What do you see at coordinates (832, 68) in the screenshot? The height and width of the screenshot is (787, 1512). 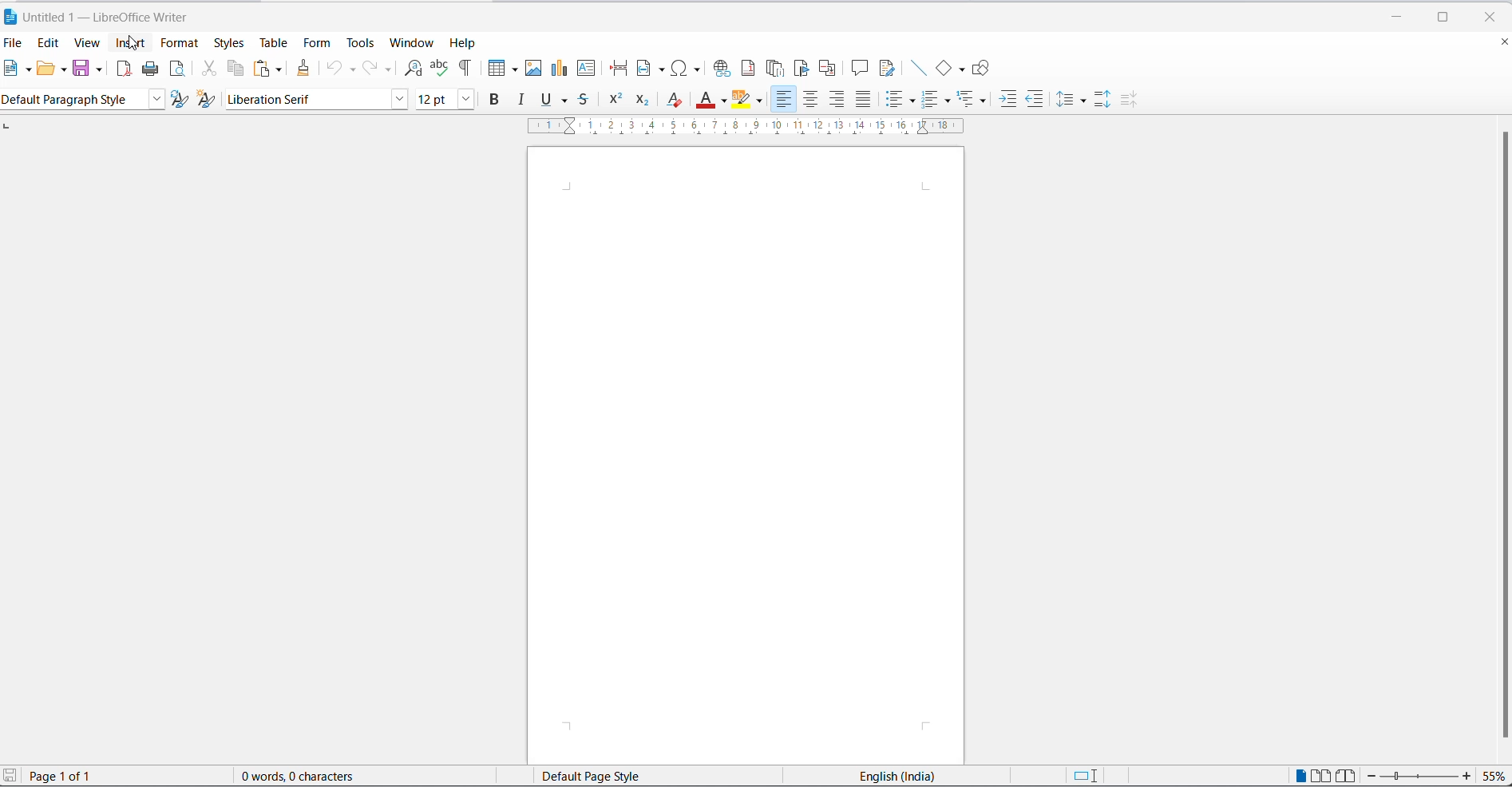 I see `insert cross-reference` at bounding box center [832, 68].